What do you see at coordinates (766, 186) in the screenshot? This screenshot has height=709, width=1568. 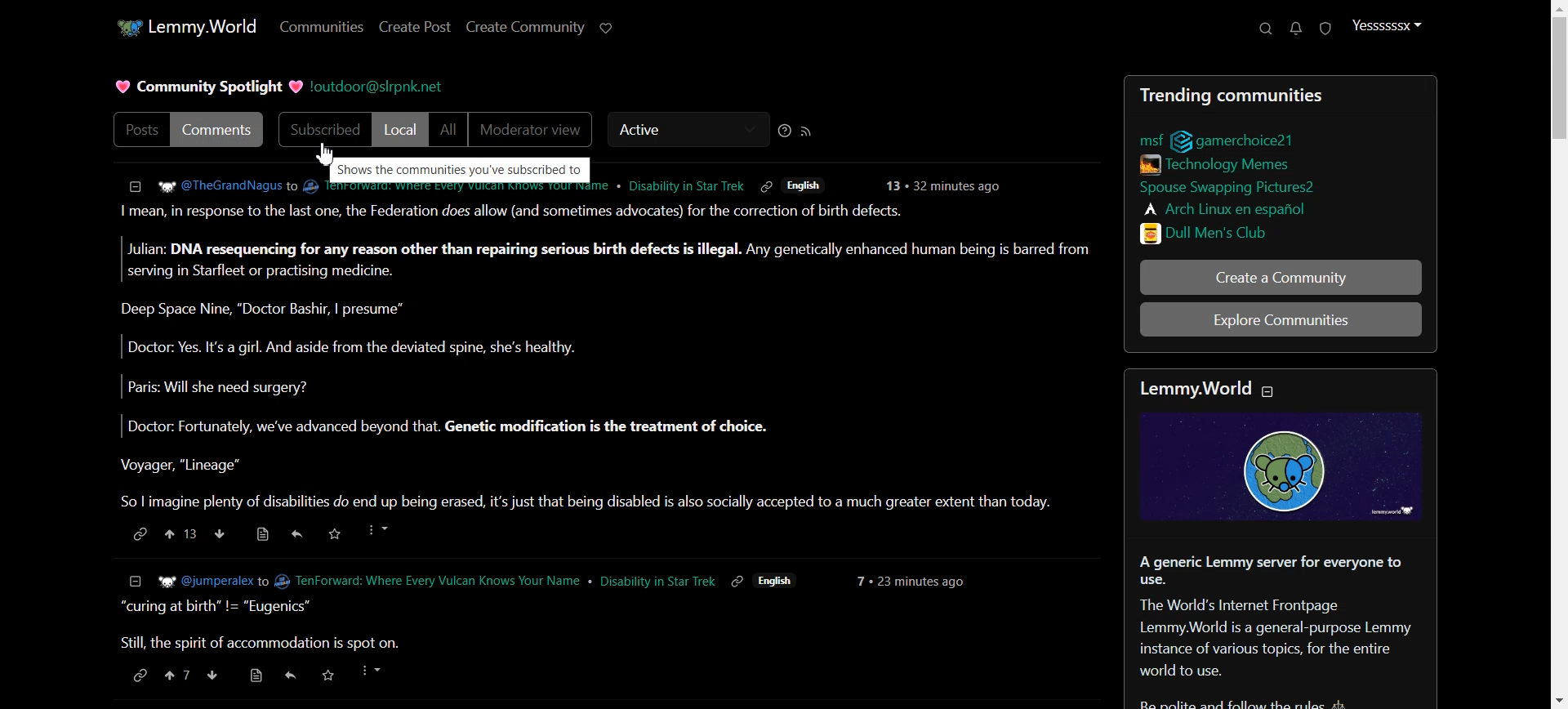 I see `copy` at bounding box center [766, 186].